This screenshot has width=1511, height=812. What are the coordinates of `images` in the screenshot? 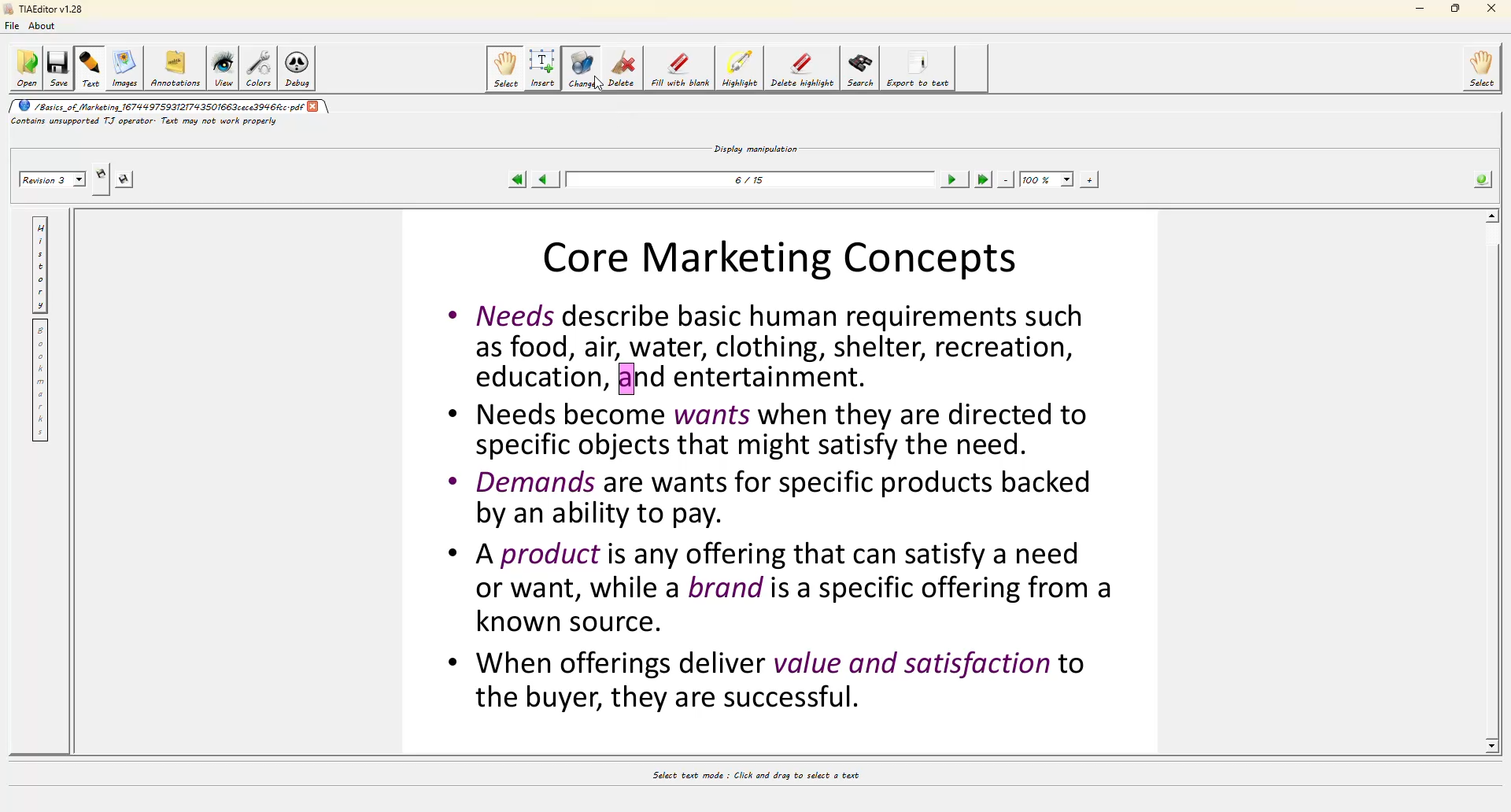 It's located at (127, 69).